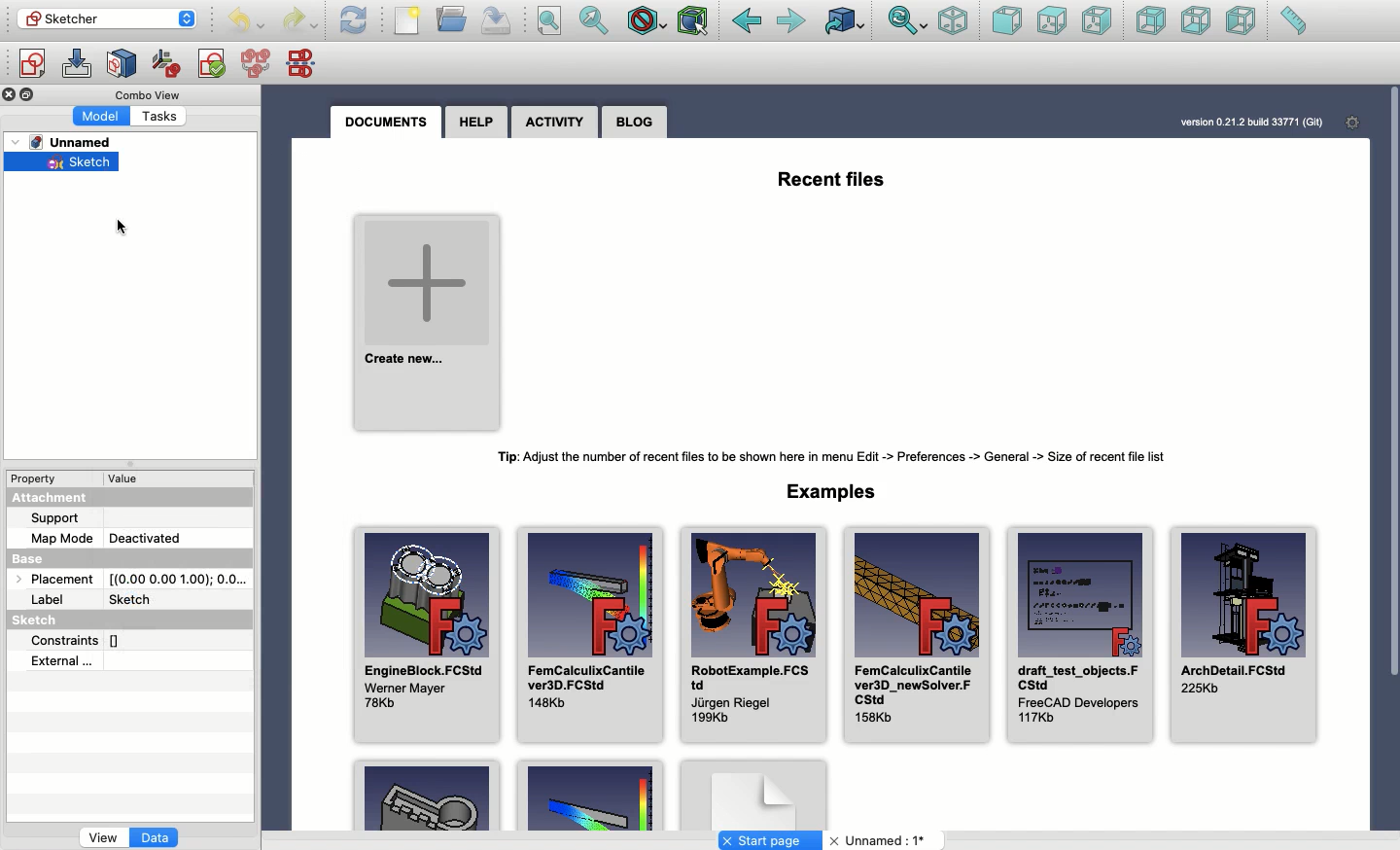 The height and width of the screenshot is (850, 1400). Describe the element at coordinates (1194, 20) in the screenshot. I see `Bottom` at that location.